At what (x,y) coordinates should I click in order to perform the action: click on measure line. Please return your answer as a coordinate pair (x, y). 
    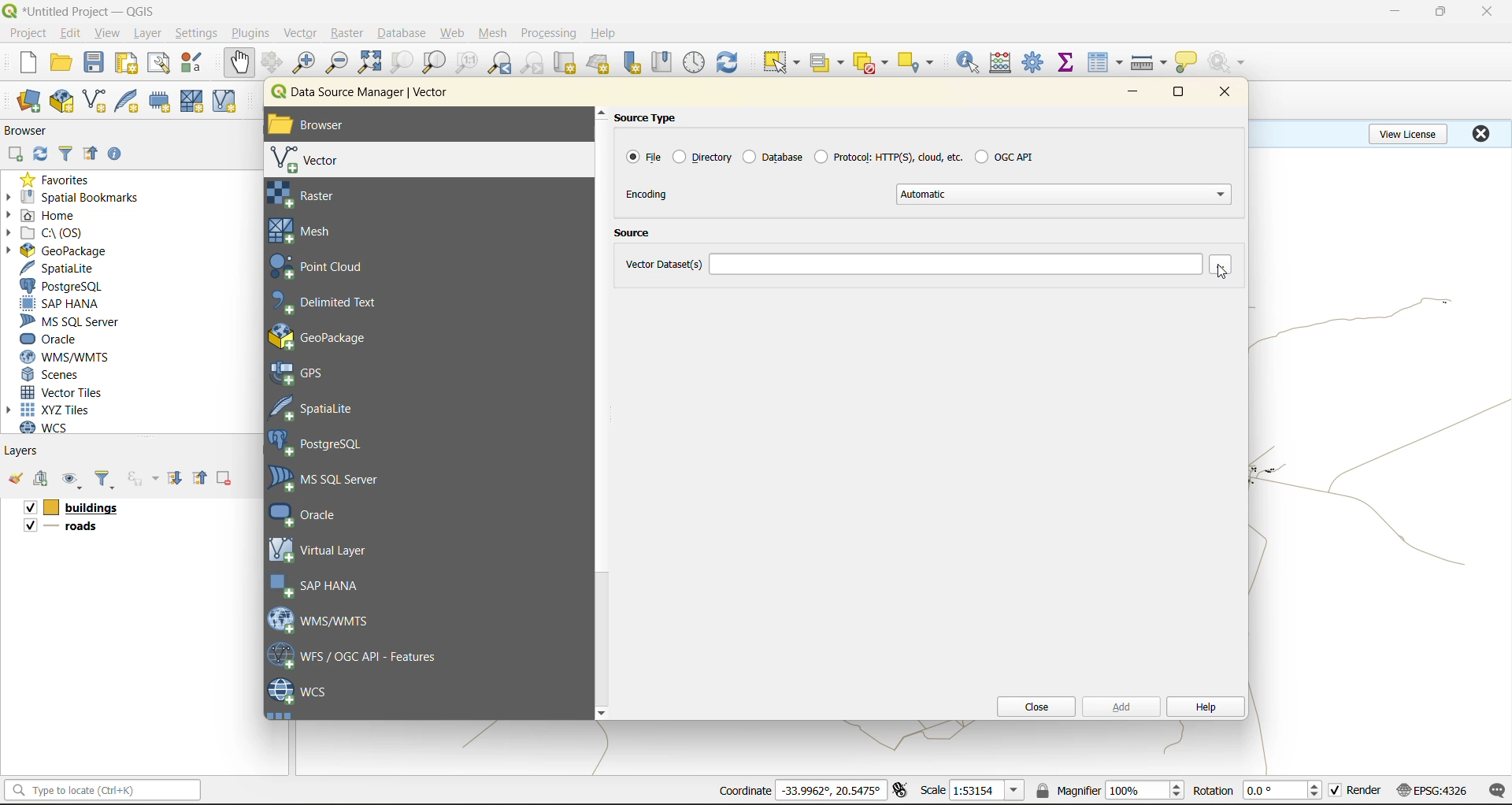
    Looking at the image, I should click on (1151, 63).